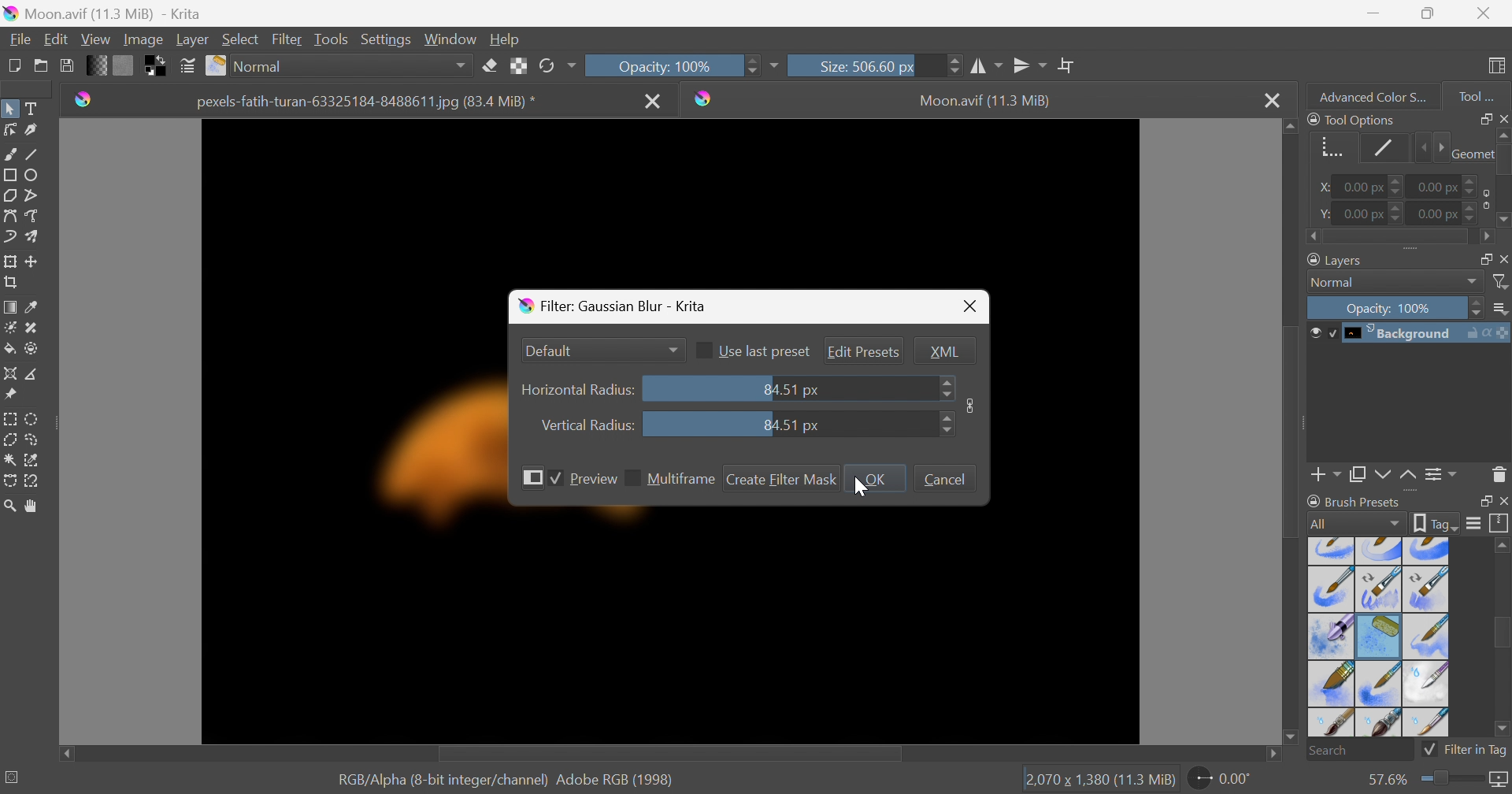 The width and height of the screenshot is (1512, 794). Describe the element at coordinates (1099, 781) in the screenshot. I see `2,070×1,380 (11.3 MiB)` at that location.